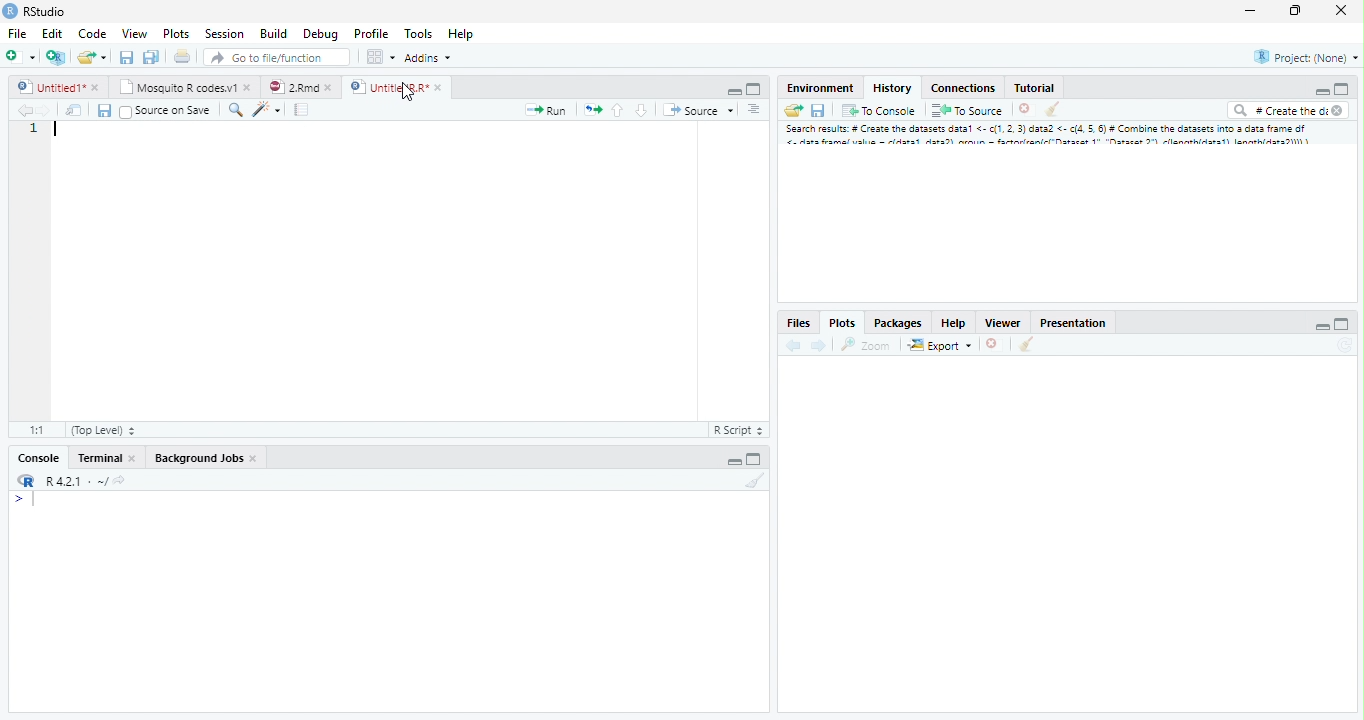  What do you see at coordinates (1294, 11) in the screenshot?
I see `Maximize` at bounding box center [1294, 11].